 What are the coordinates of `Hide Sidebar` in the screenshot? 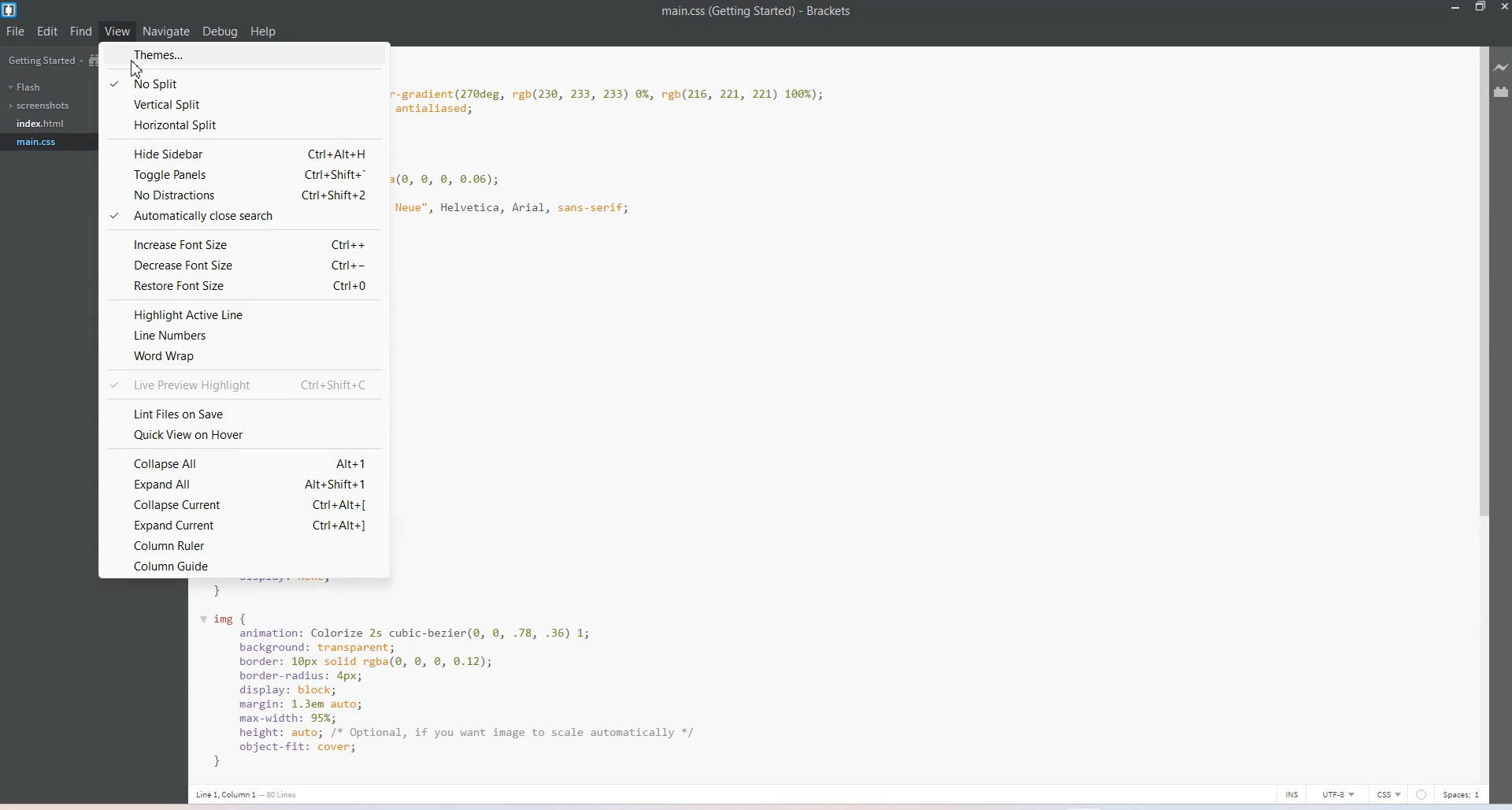 It's located at (243, 153).